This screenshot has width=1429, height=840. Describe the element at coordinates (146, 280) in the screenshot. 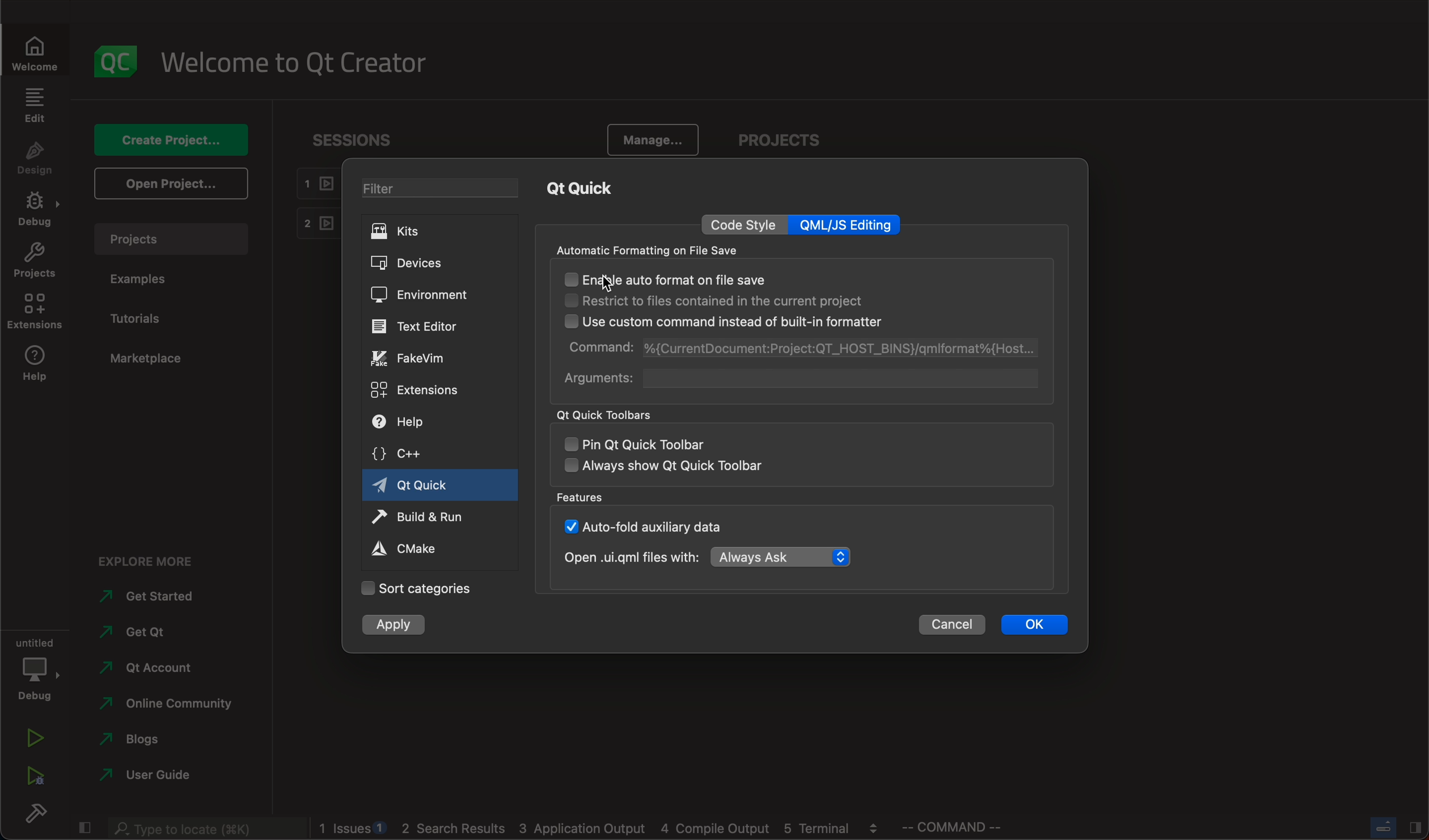

I see `examples` at that location.